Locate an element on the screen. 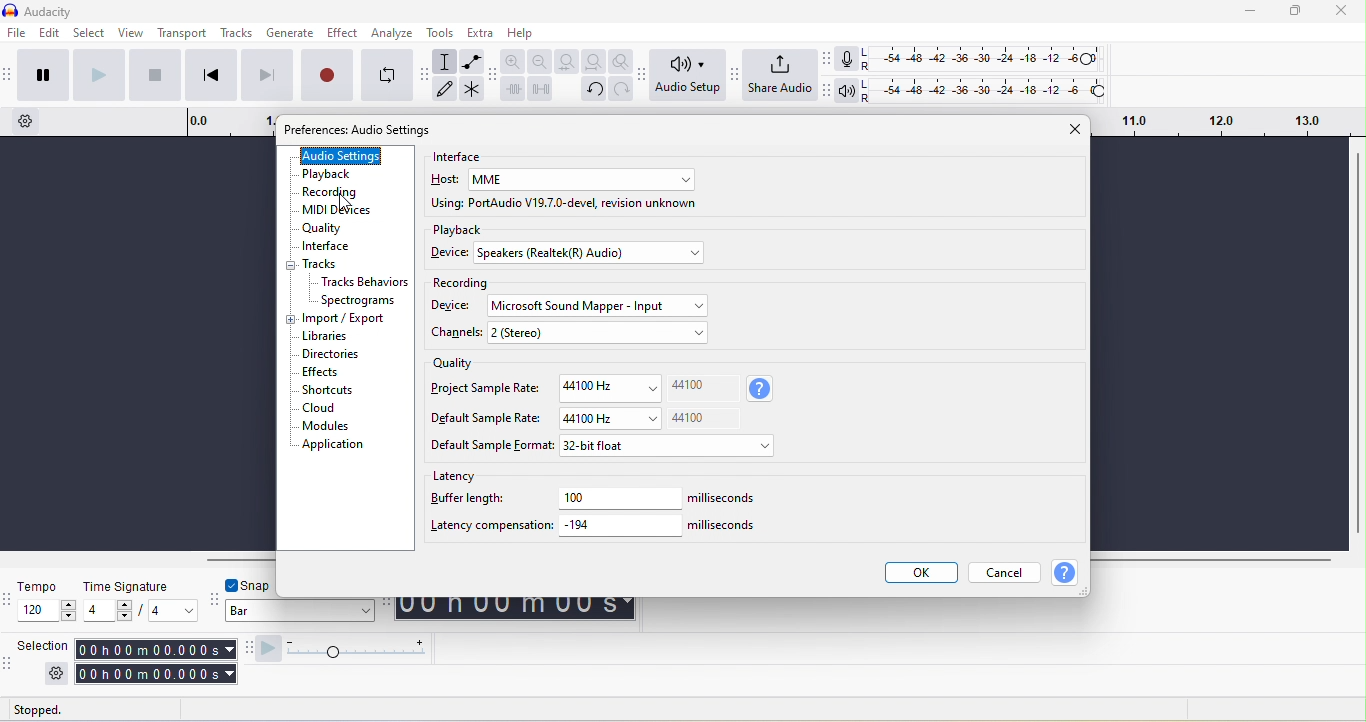 The width and height of the screenshot is (1366, 722). audacity time signature toolbar is located at coordinates (9, 604).